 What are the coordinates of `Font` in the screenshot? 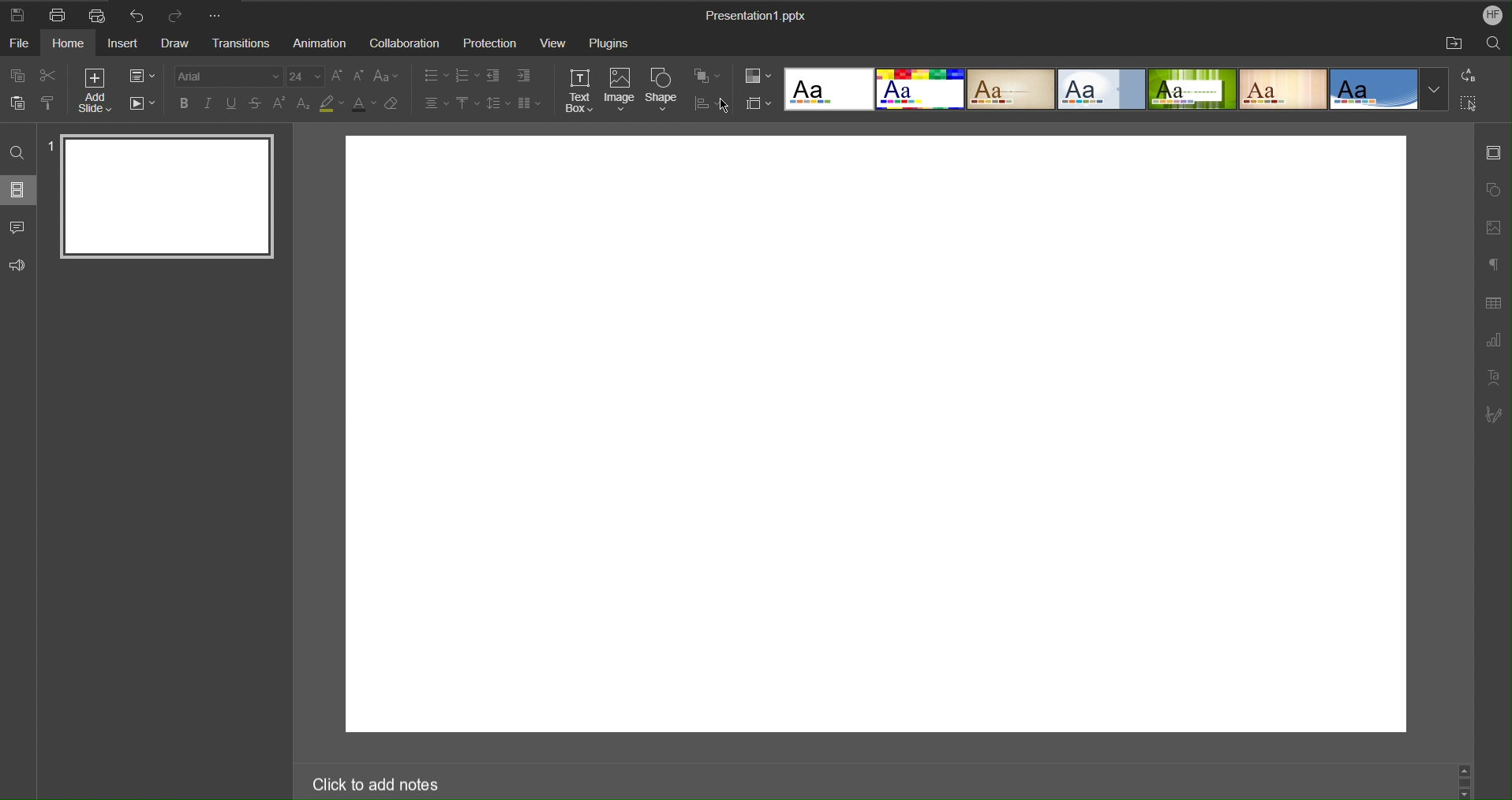 It's located at (230, 76).